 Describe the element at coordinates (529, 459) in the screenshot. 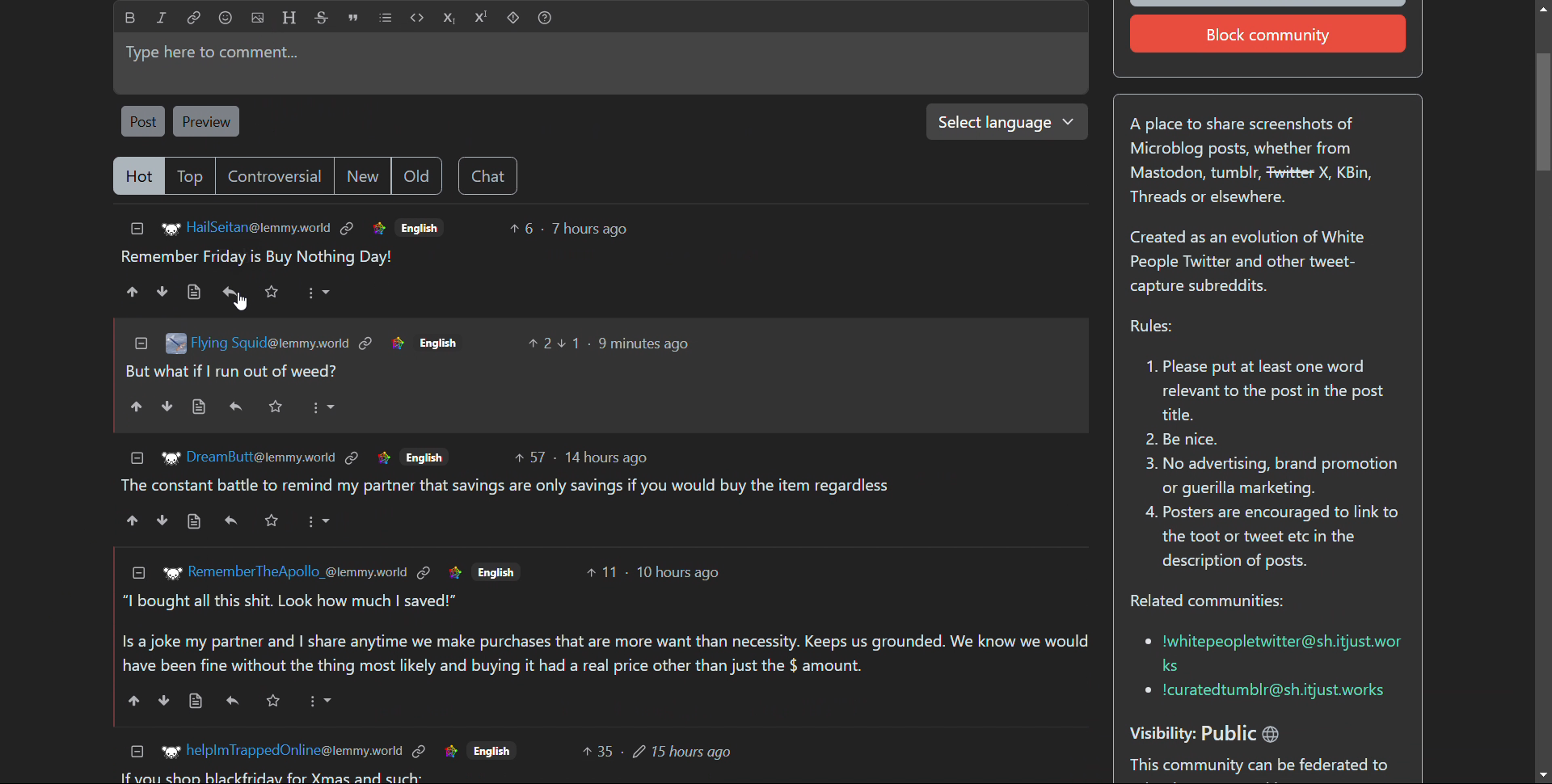

I see `number of upvotes` at that location.